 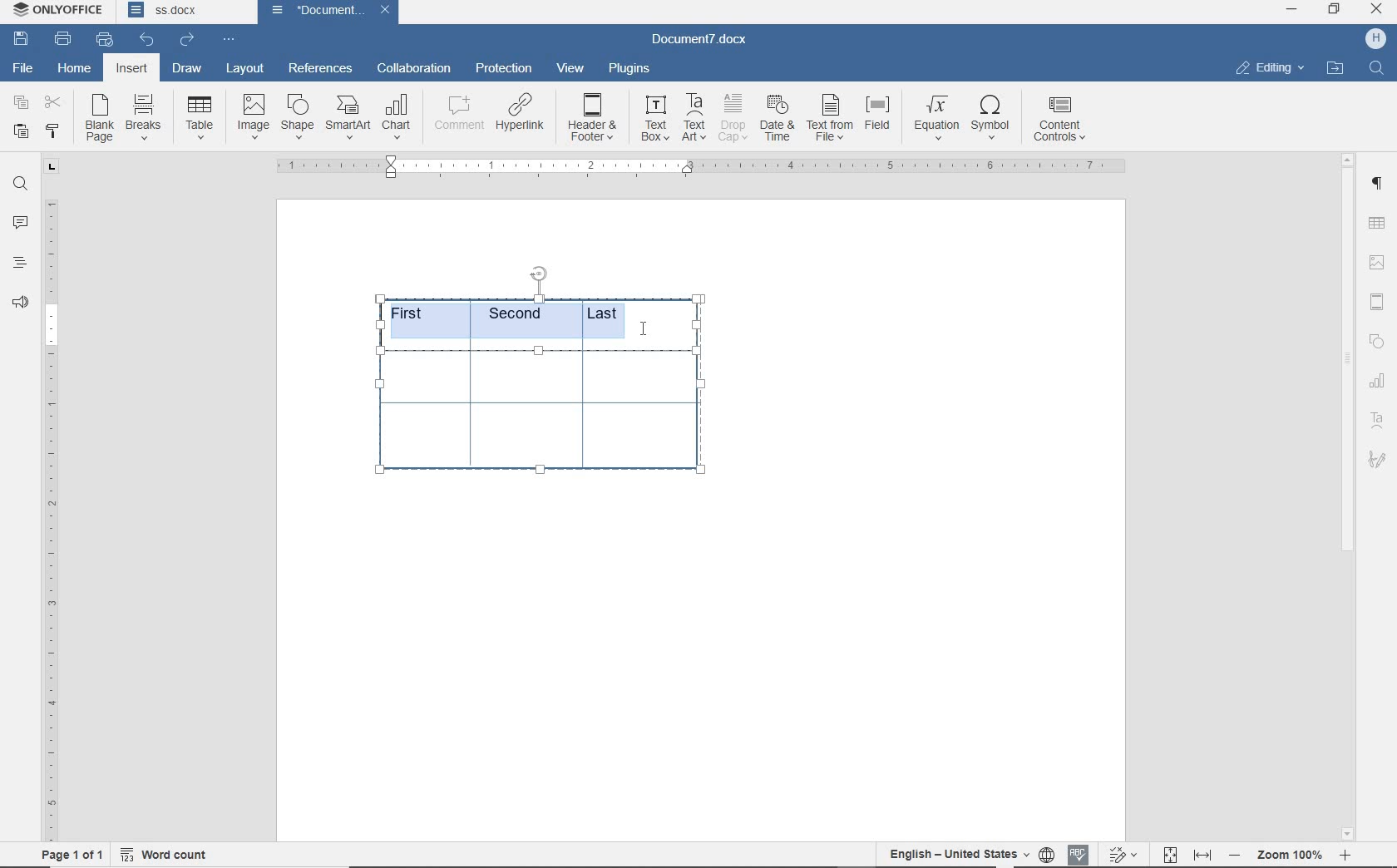 I want to click on comments, so click(x=22, y=223).